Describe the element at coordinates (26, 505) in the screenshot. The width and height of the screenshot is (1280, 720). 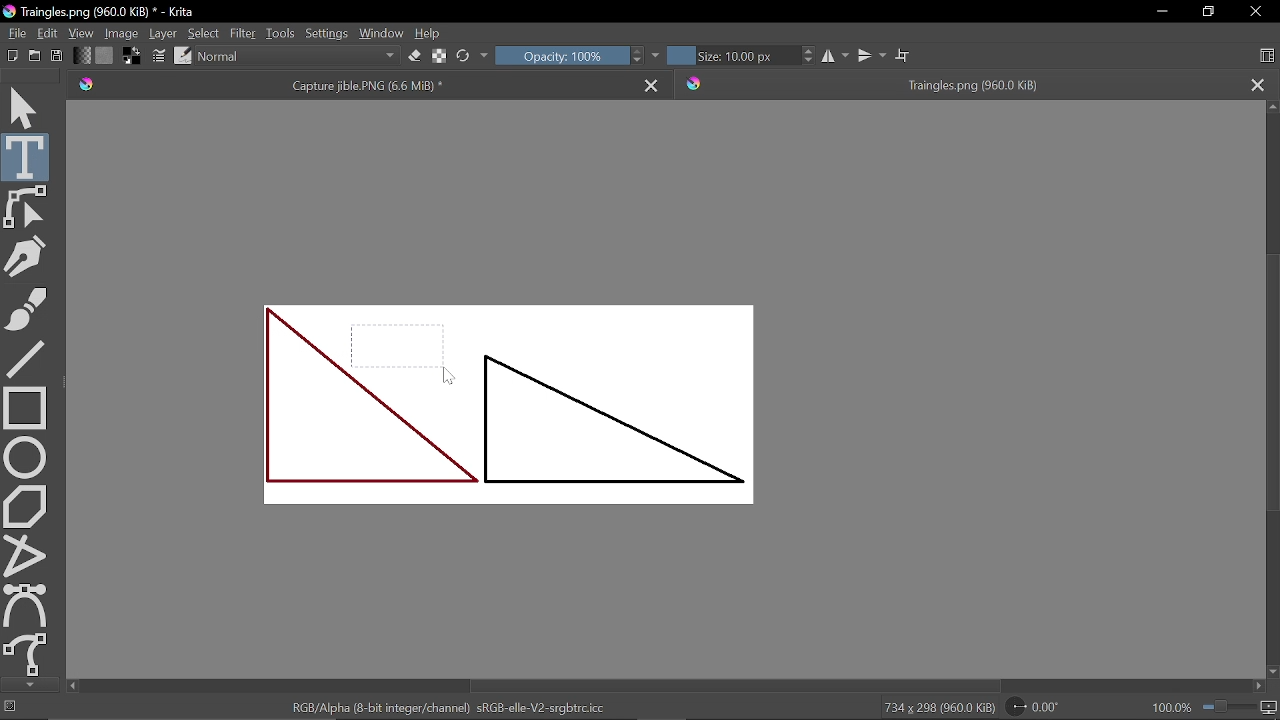
I see `Polygon tool` at that location.